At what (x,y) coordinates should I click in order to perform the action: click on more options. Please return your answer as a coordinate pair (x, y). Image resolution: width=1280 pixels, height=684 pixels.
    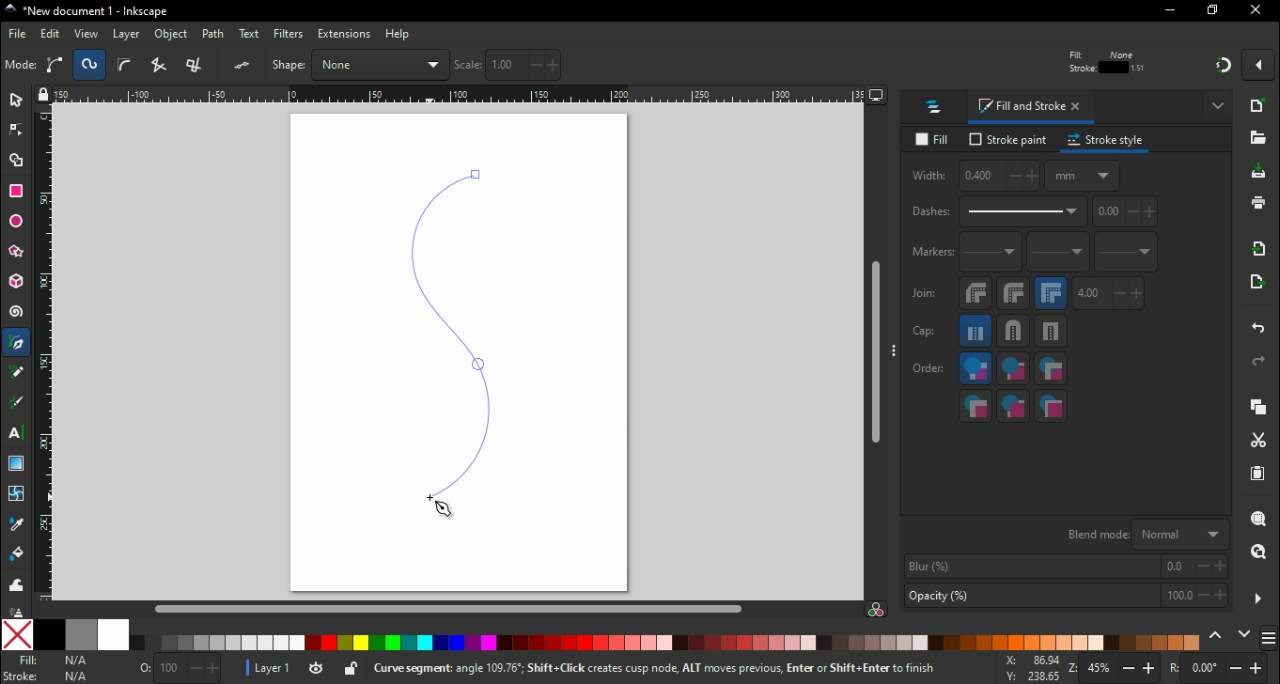
    Looking at the image, I should click on (1259, 598).